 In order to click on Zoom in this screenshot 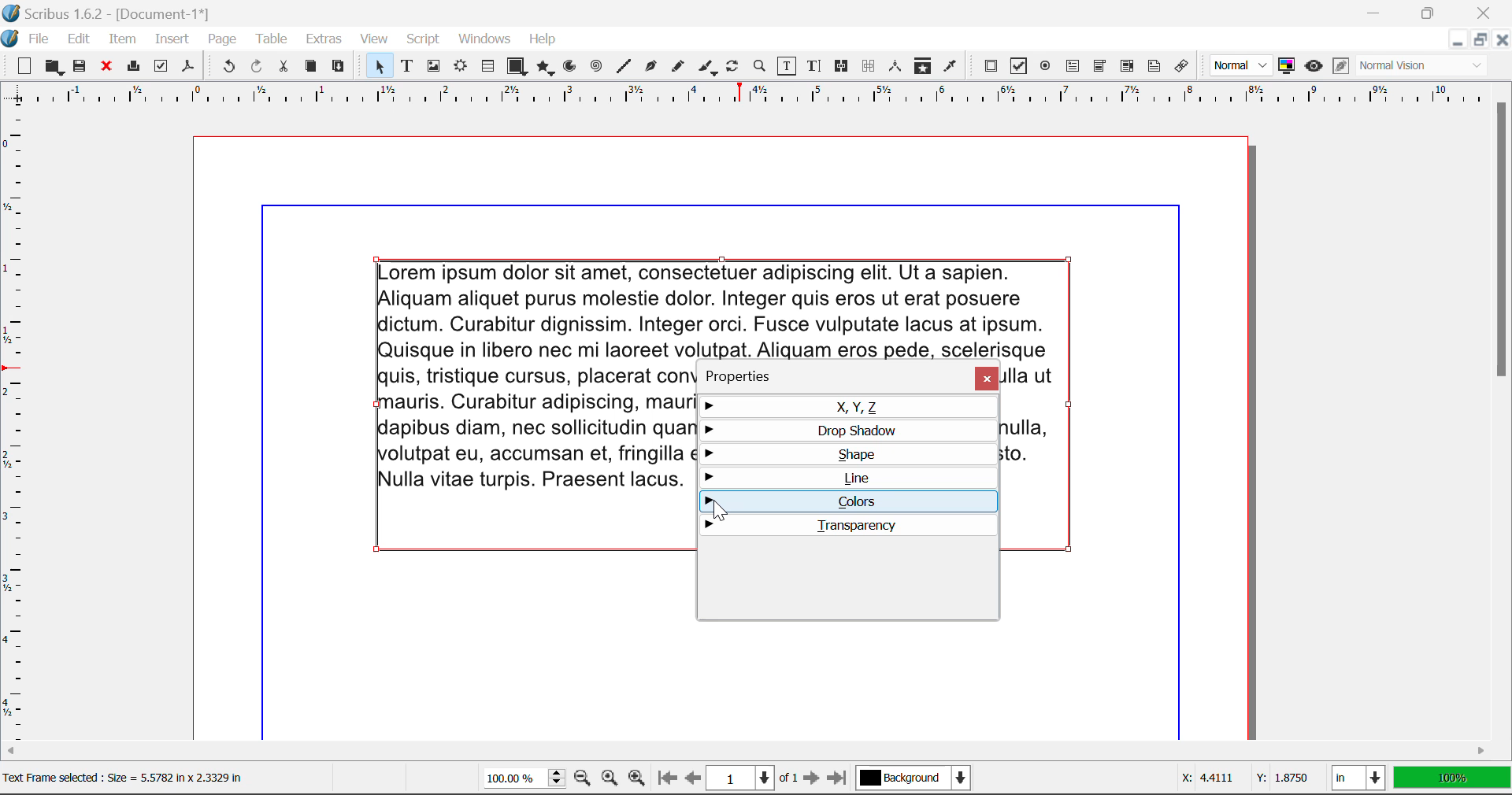, I will do `click(760, 65)`.